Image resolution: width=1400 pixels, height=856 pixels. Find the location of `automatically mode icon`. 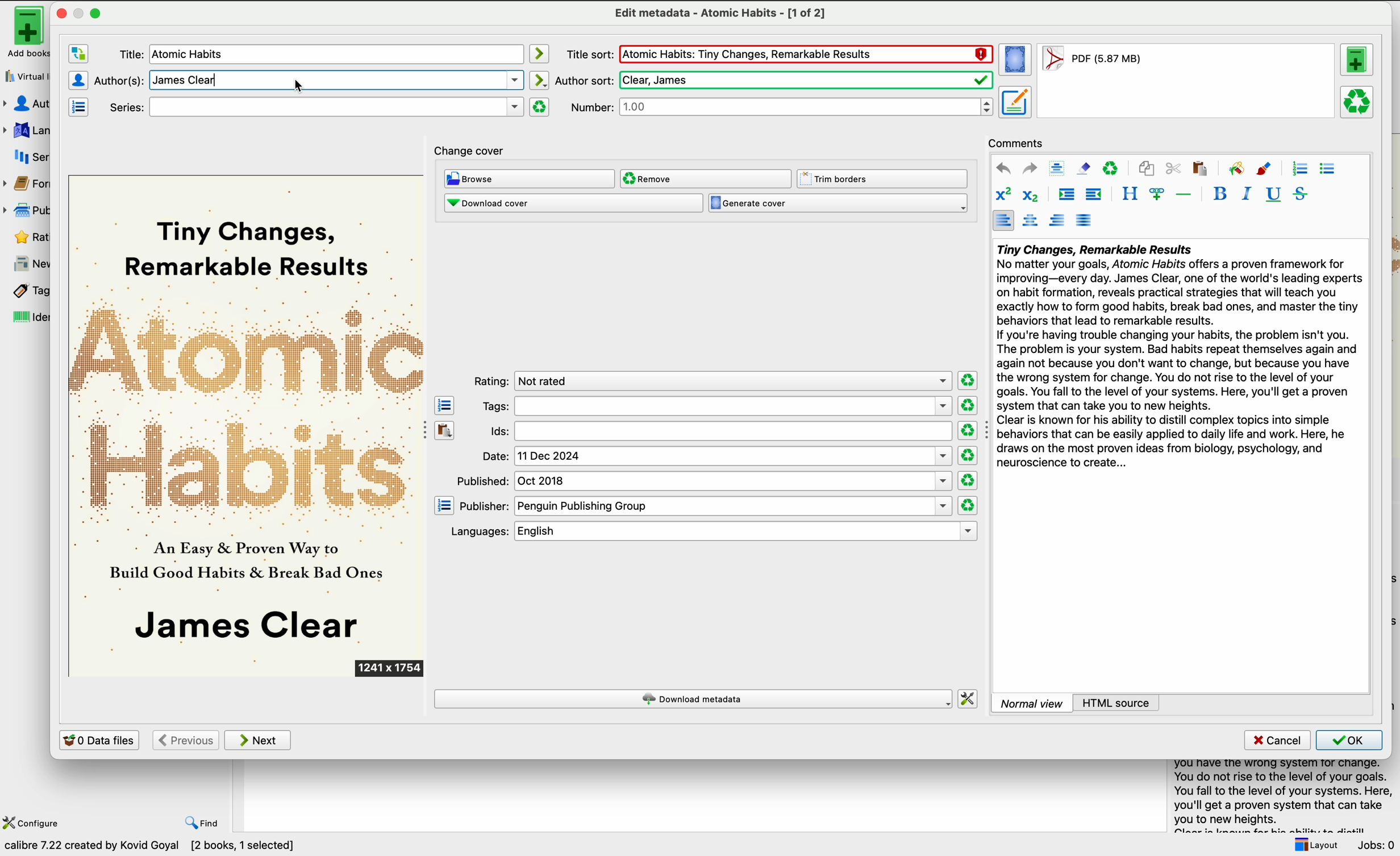

automatically mode icon is located at coordinates (541, 80).